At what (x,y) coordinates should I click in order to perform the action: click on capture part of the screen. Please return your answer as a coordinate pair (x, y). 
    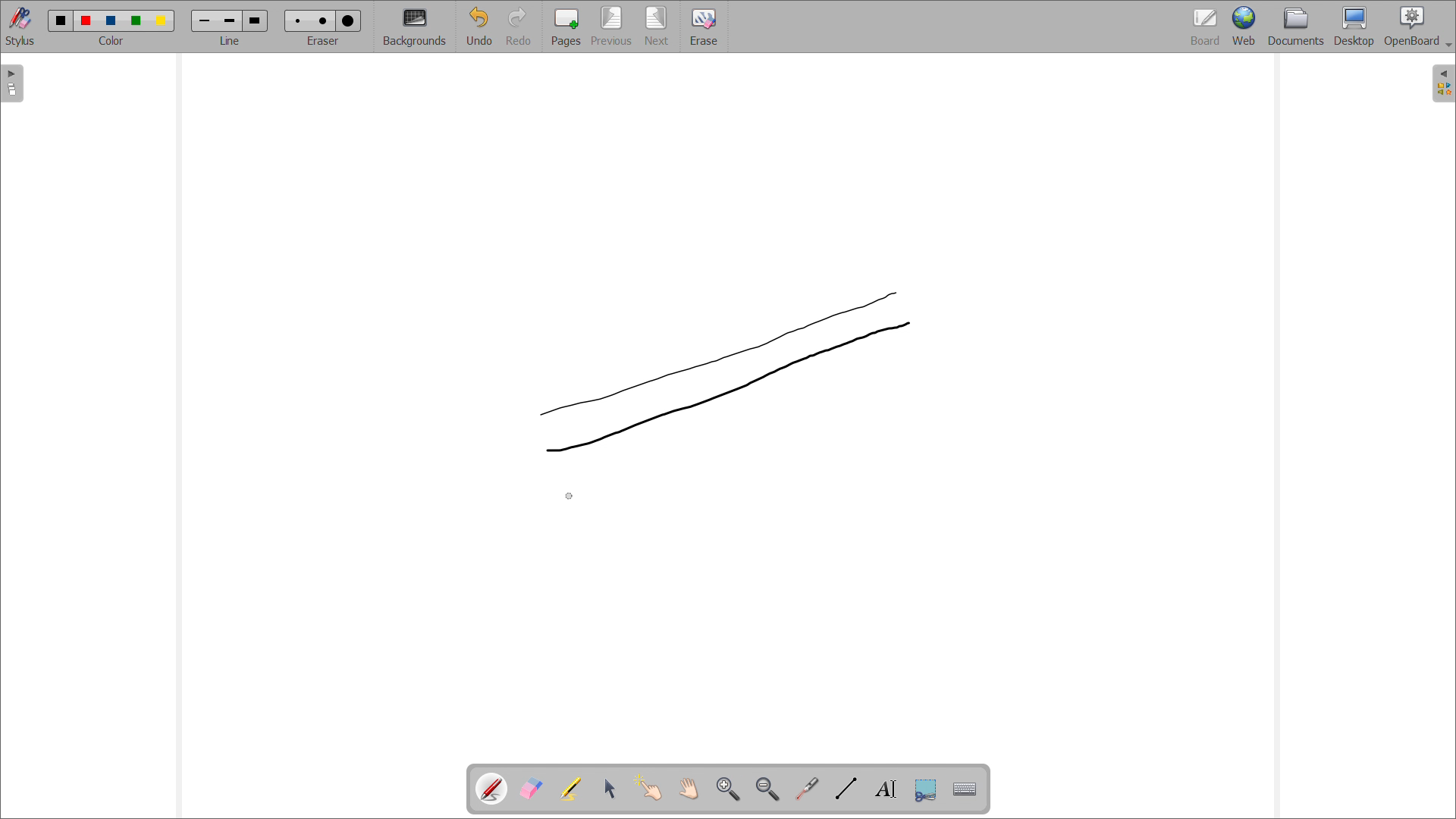
    Looking at the image, I should click on (926, 789).